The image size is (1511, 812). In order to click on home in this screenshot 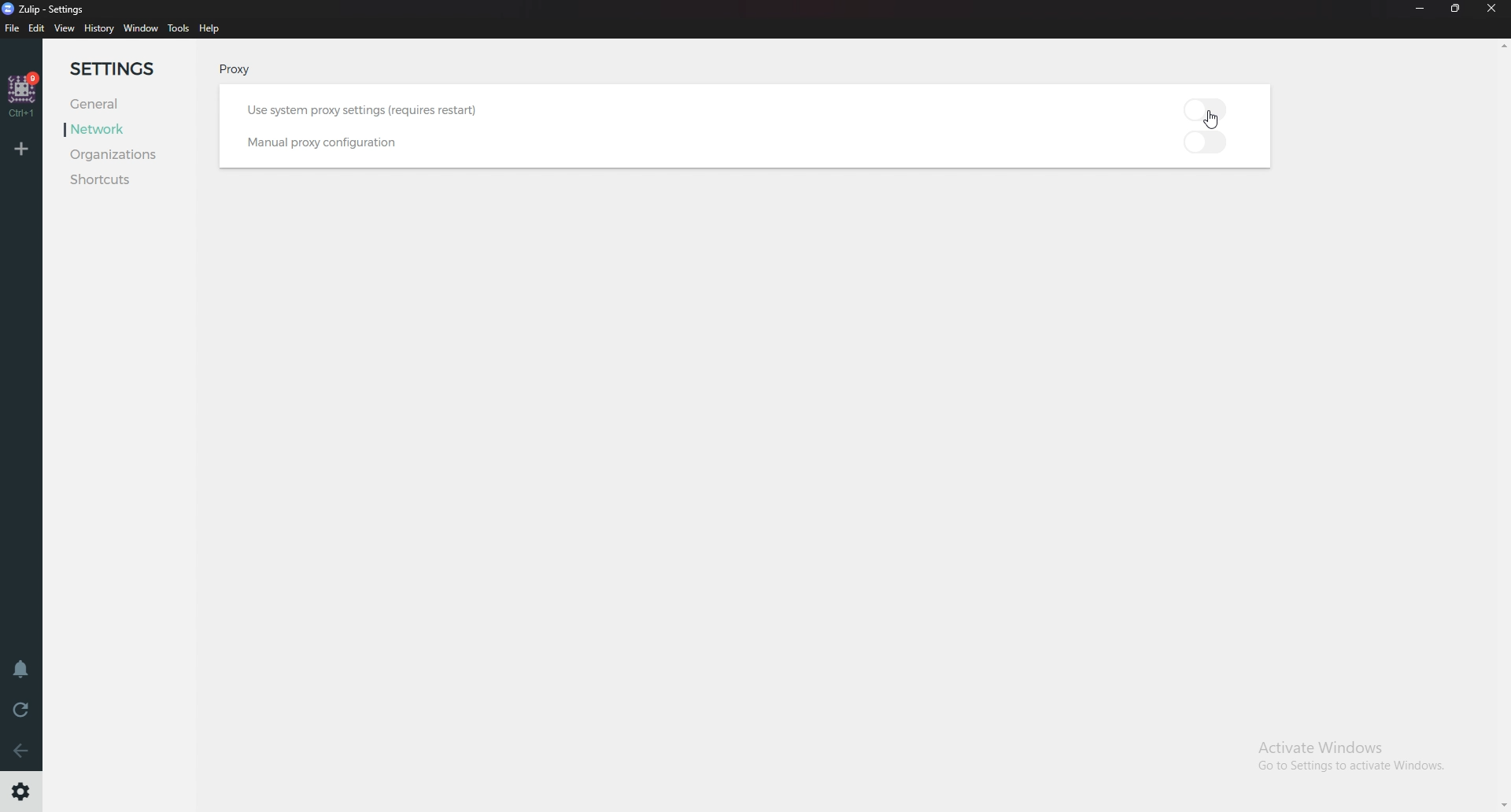, I will do `click(24, 94)`.